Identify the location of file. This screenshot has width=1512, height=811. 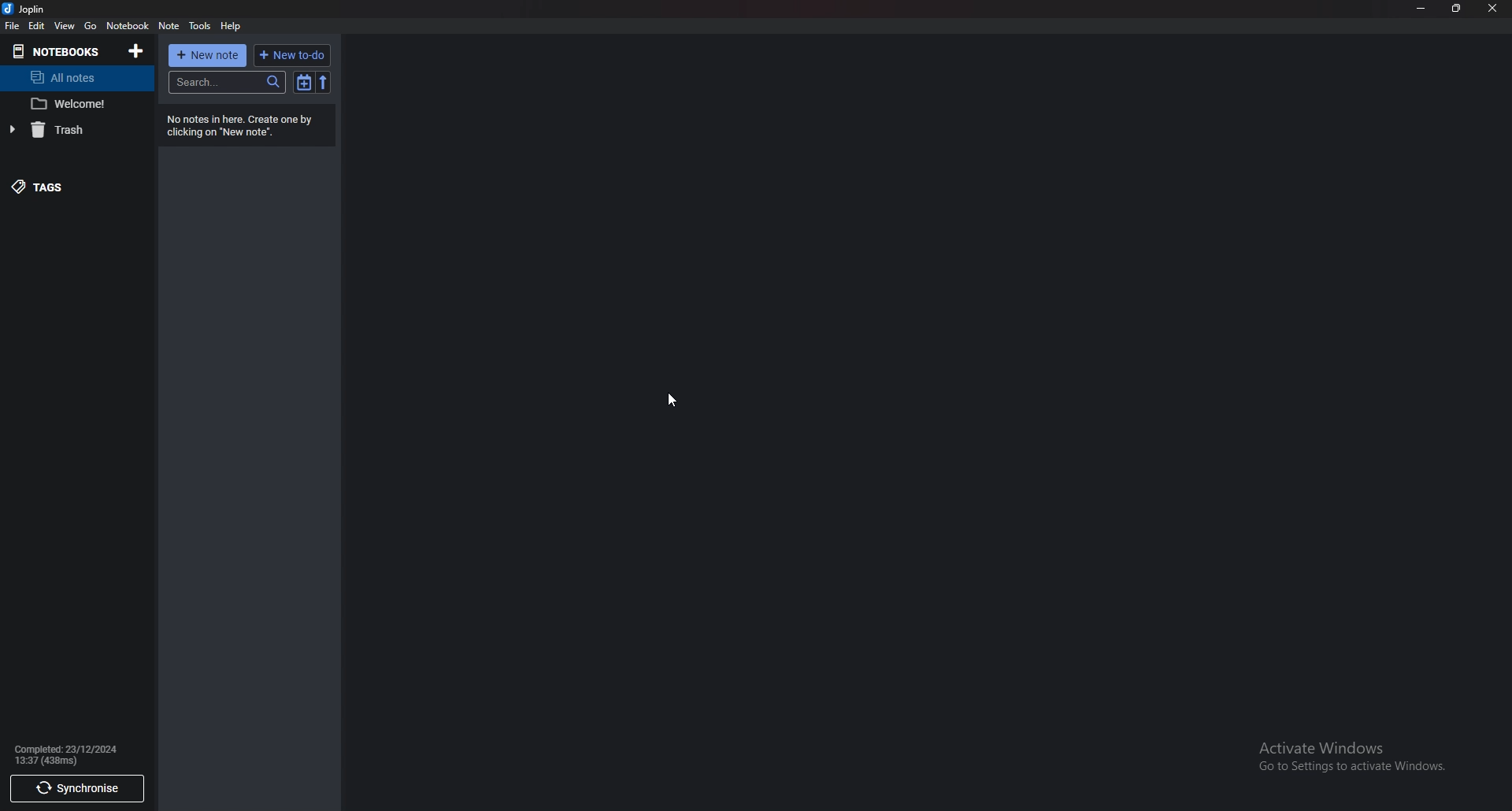
(12, 26).